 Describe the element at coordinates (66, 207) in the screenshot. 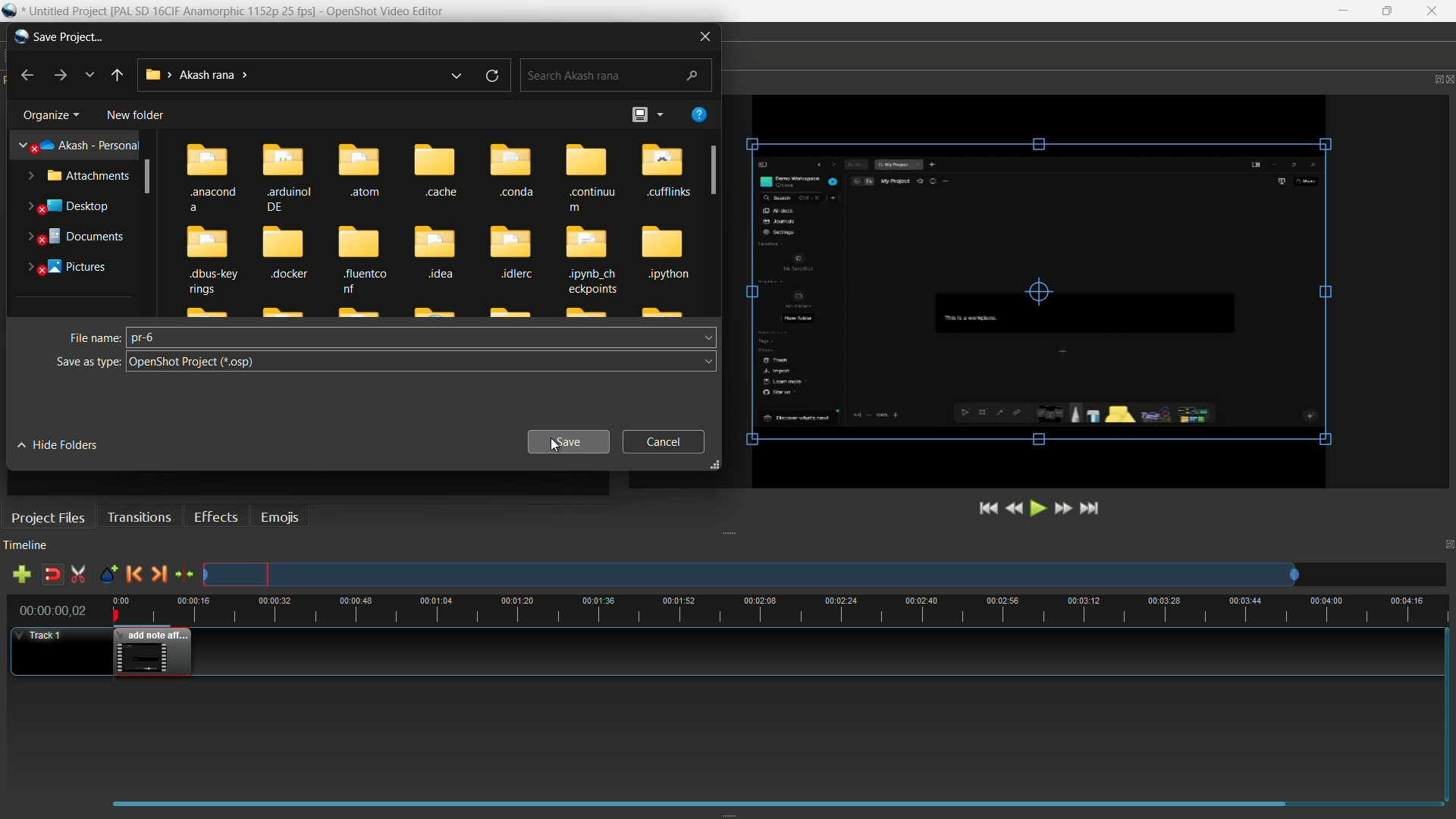

I see `desktop` at that location.